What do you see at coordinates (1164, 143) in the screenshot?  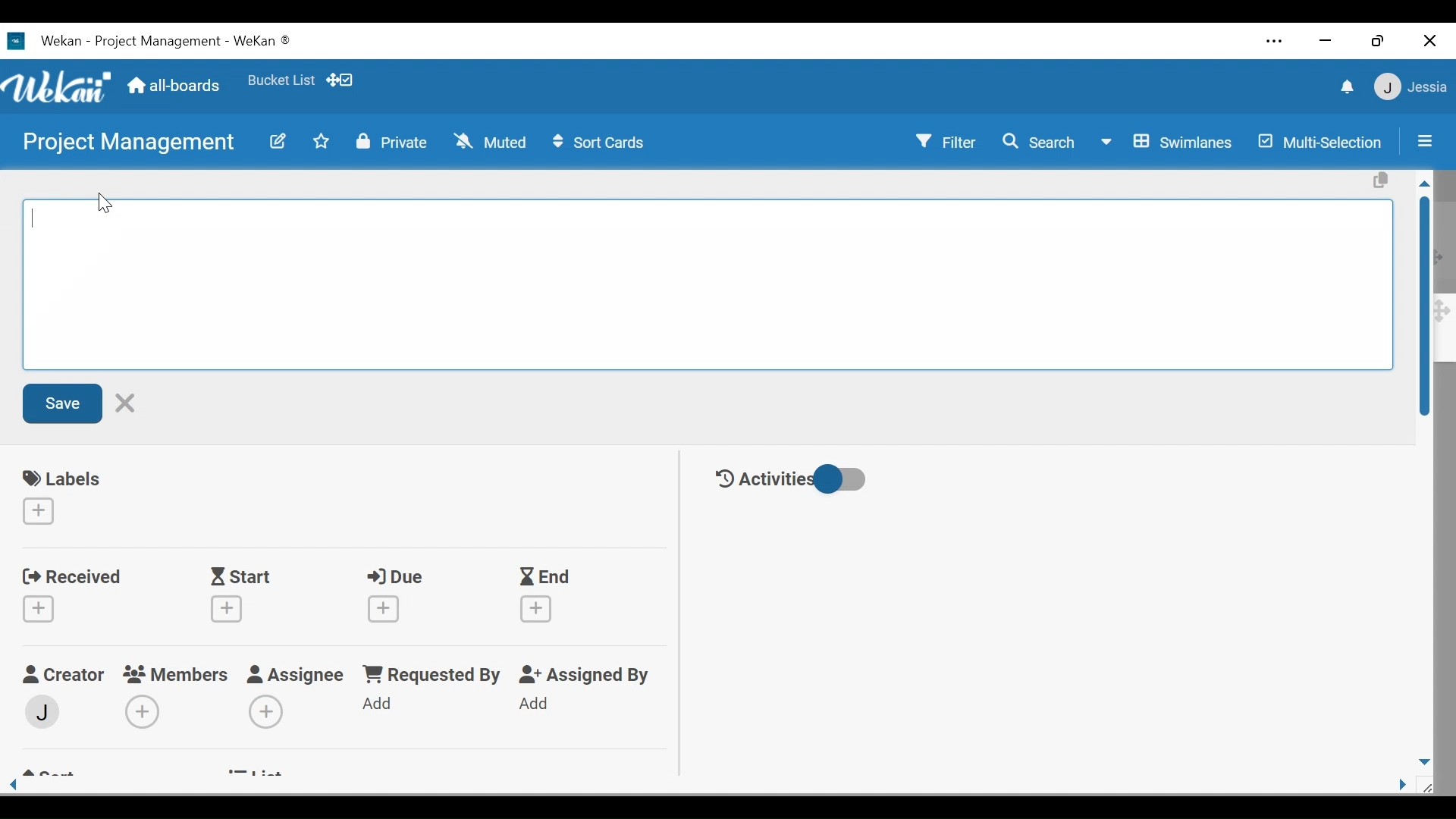 I see `Board View` at bounding box center [1164, 143].